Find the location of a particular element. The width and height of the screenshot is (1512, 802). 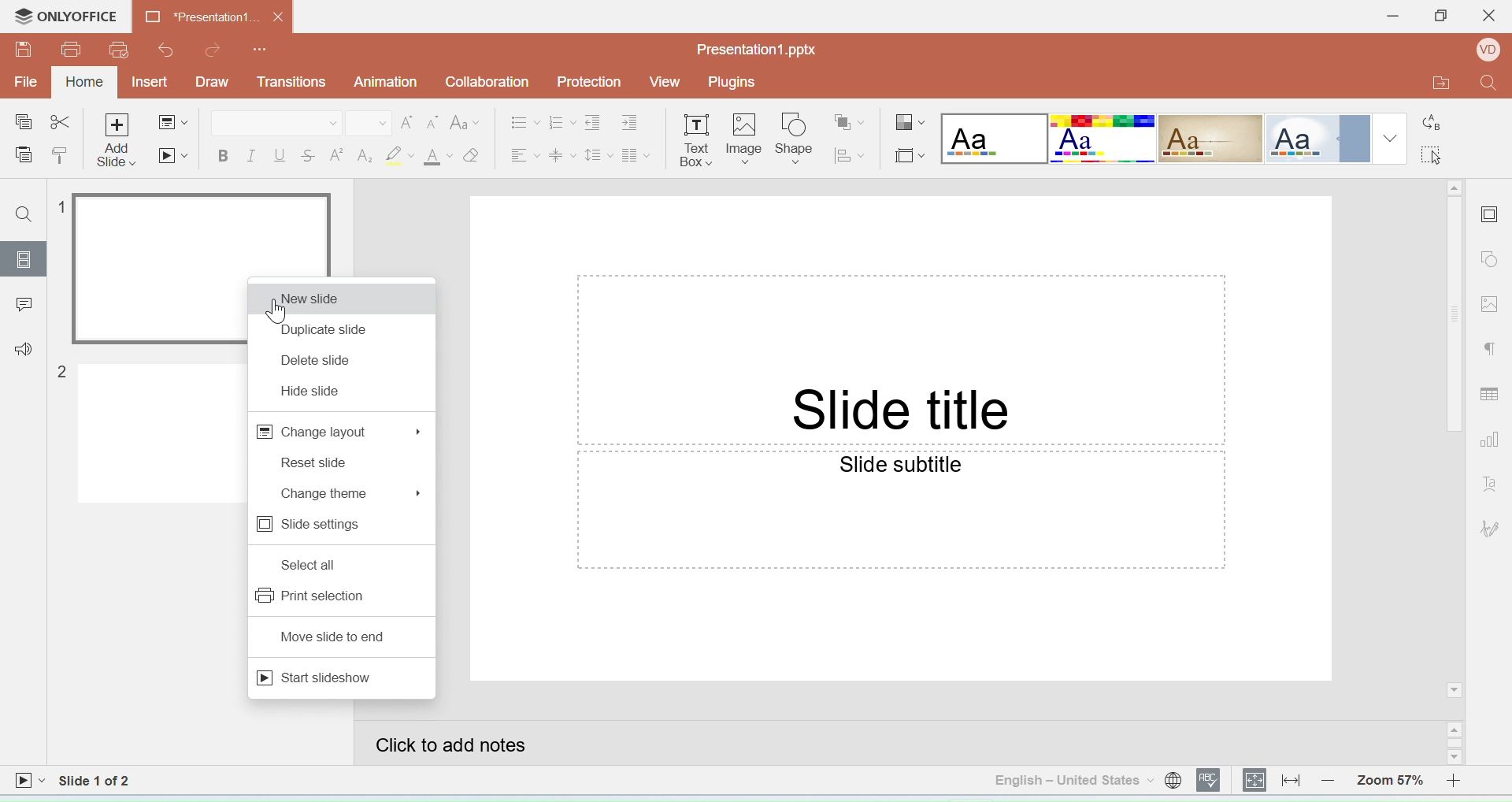

Change slide layout is located at coordinates (172, 124).